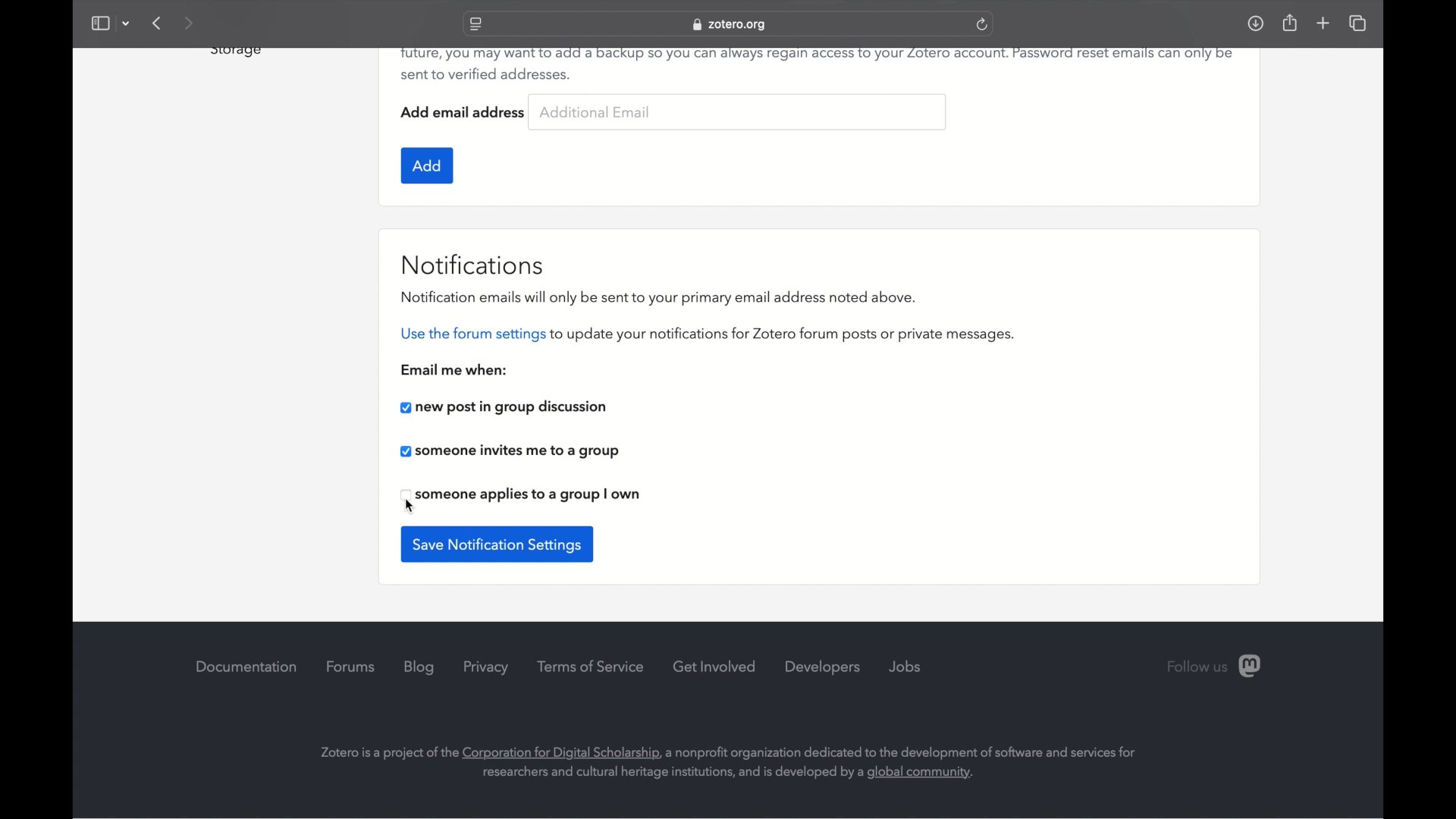  I want to click on terms of service, so click(590, 666).